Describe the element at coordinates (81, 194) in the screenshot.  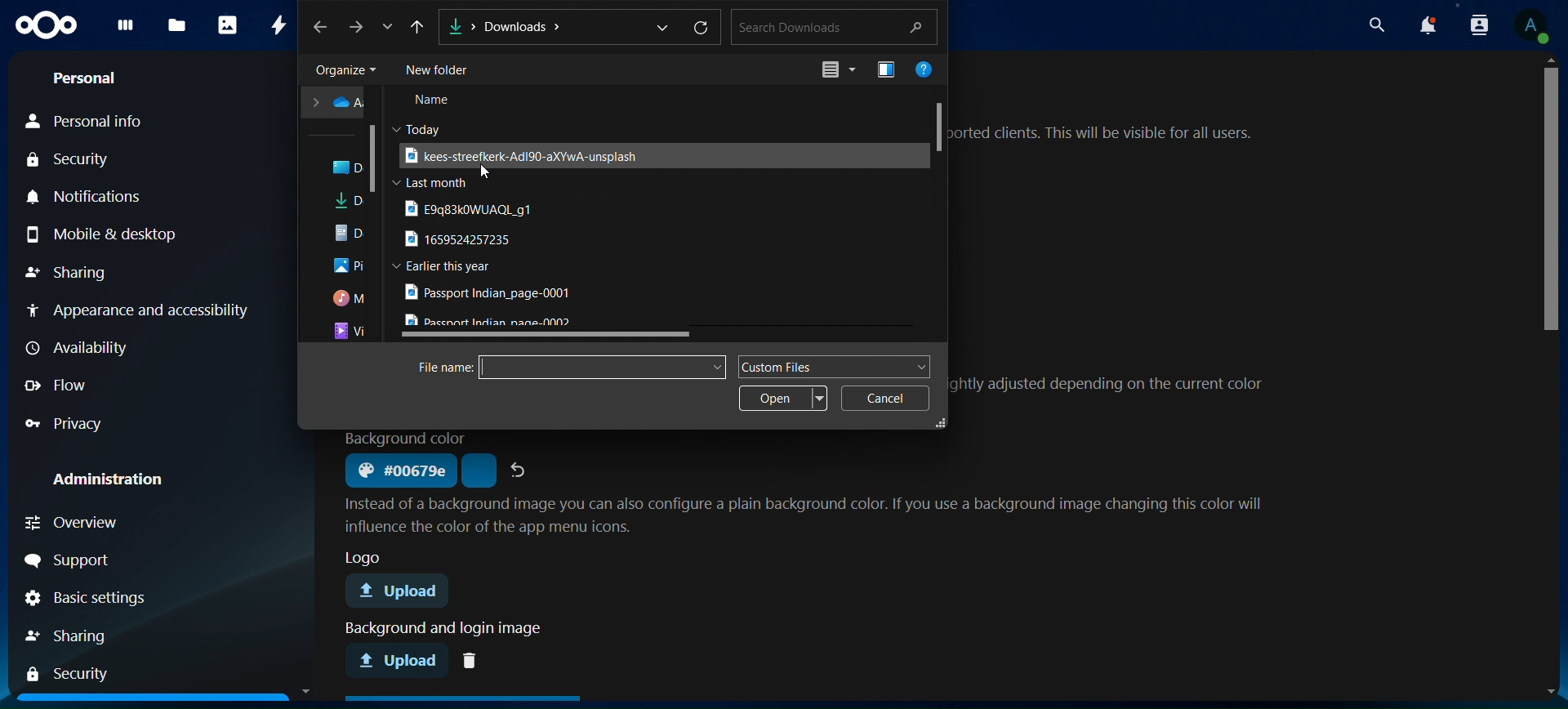
I see `notifications` at that location.